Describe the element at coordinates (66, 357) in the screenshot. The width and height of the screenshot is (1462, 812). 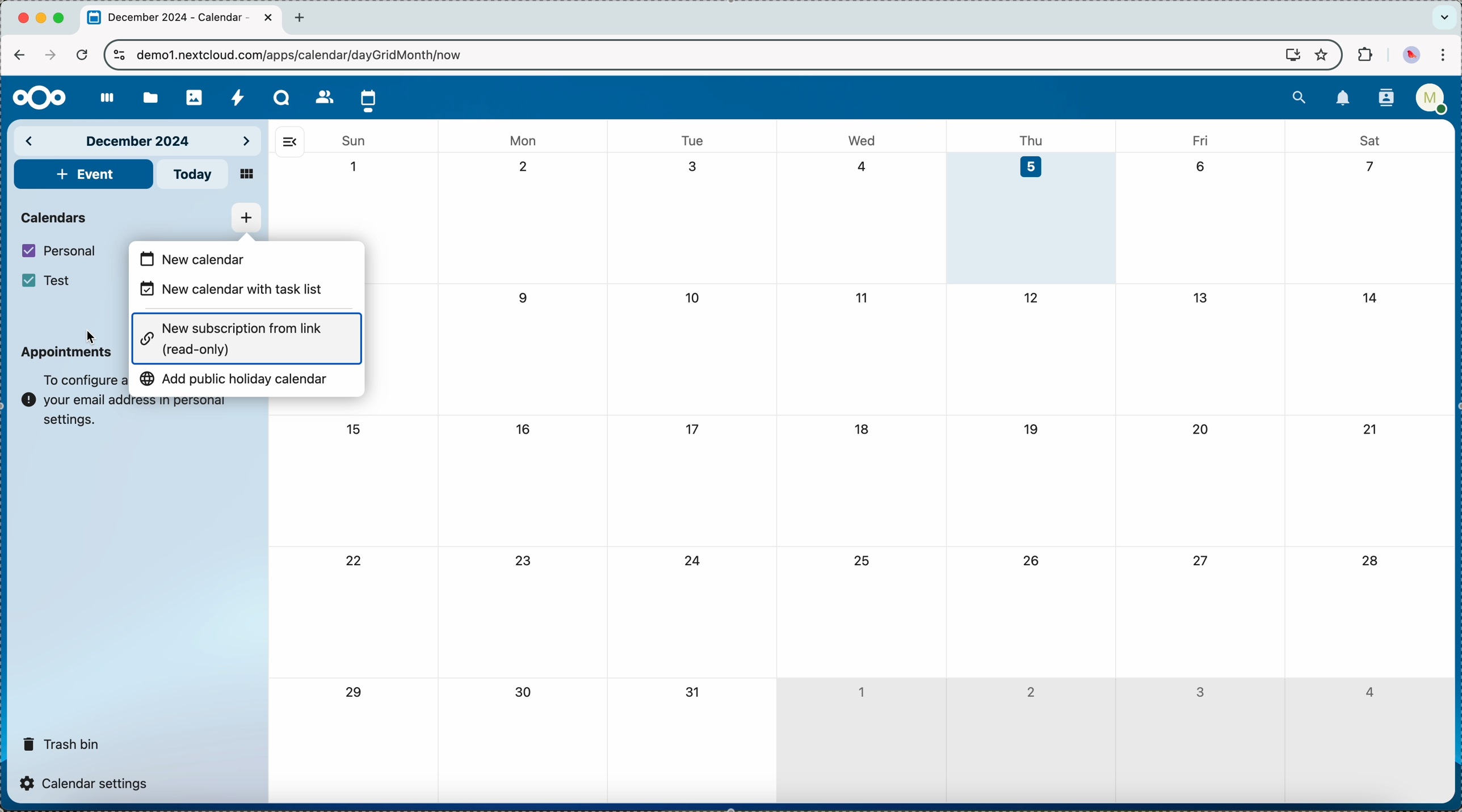
I see `appointments` at that location.